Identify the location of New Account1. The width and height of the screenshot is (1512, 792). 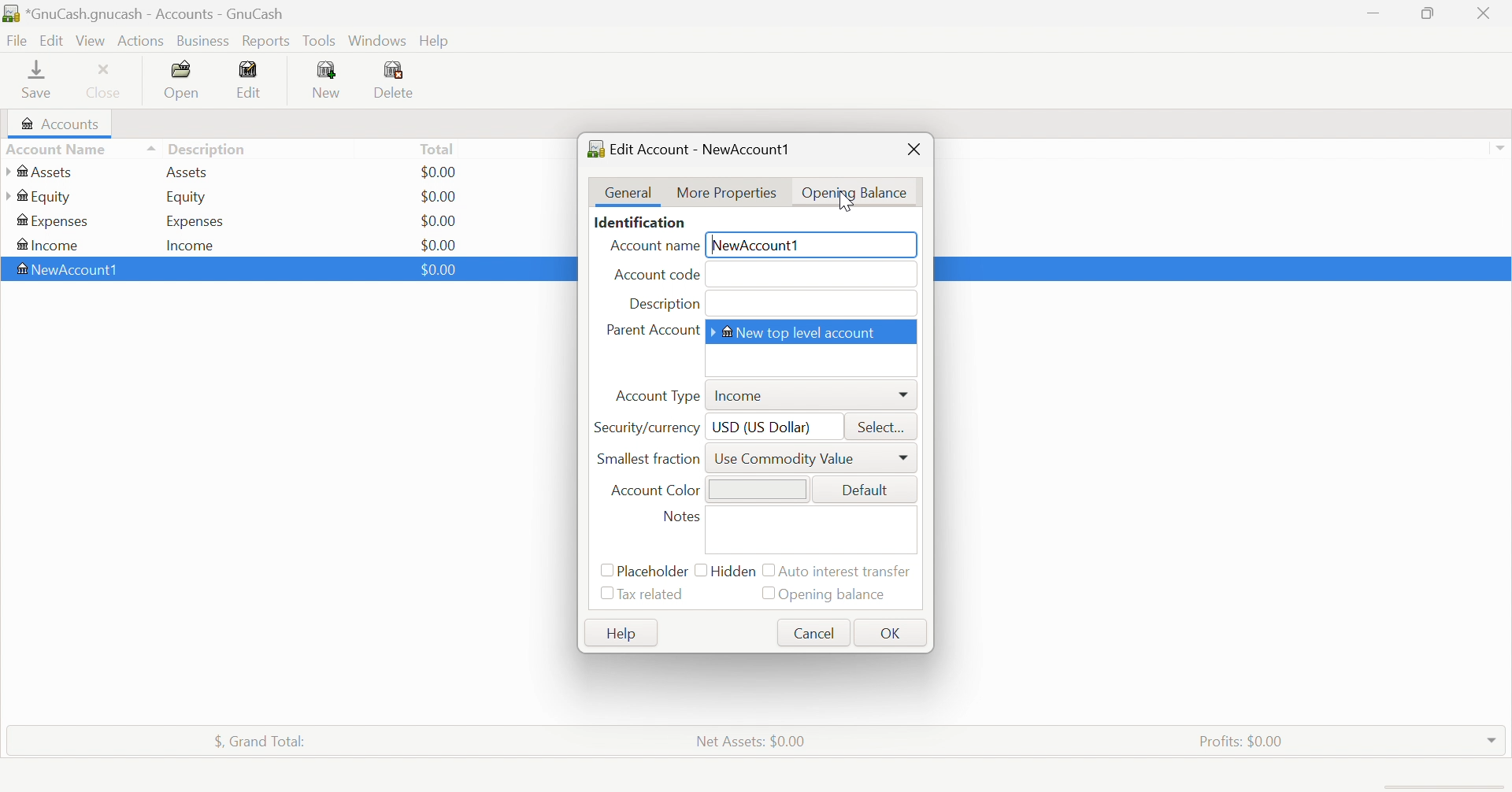
(757, 244).